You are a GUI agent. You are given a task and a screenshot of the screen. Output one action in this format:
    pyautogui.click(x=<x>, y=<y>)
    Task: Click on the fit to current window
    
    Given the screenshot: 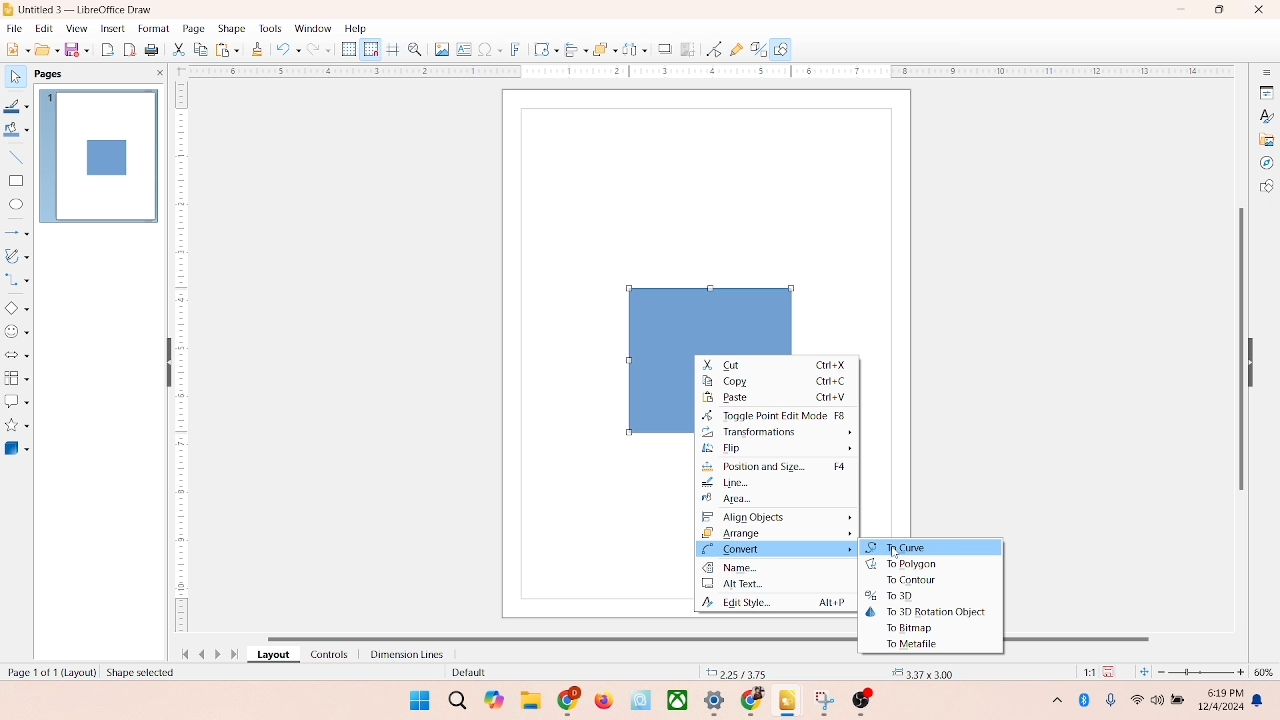 What is the action you would take?
    pyautogui.click(x=1143, y=672)
    